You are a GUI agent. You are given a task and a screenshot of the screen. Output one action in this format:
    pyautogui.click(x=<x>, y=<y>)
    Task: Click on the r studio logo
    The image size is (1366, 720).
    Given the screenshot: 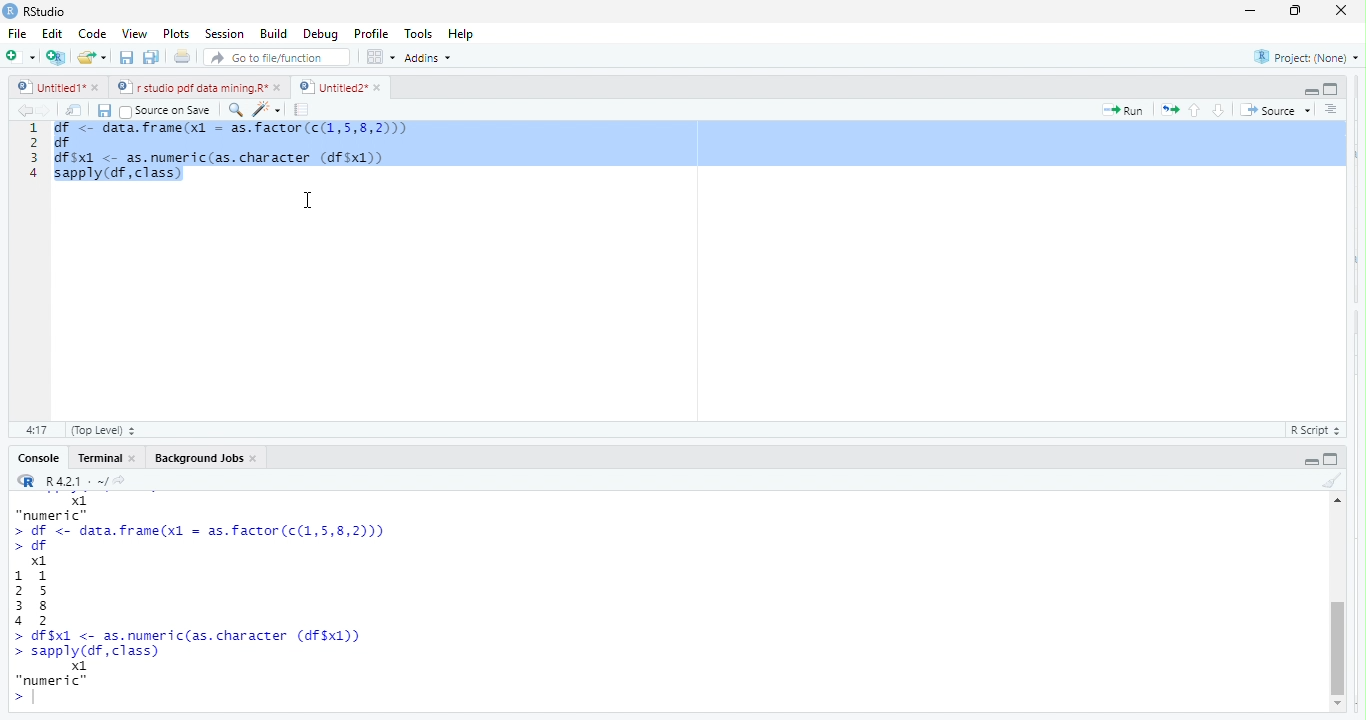 What is the action you would take?
    pyautogui.click(x=9, y=10)
    